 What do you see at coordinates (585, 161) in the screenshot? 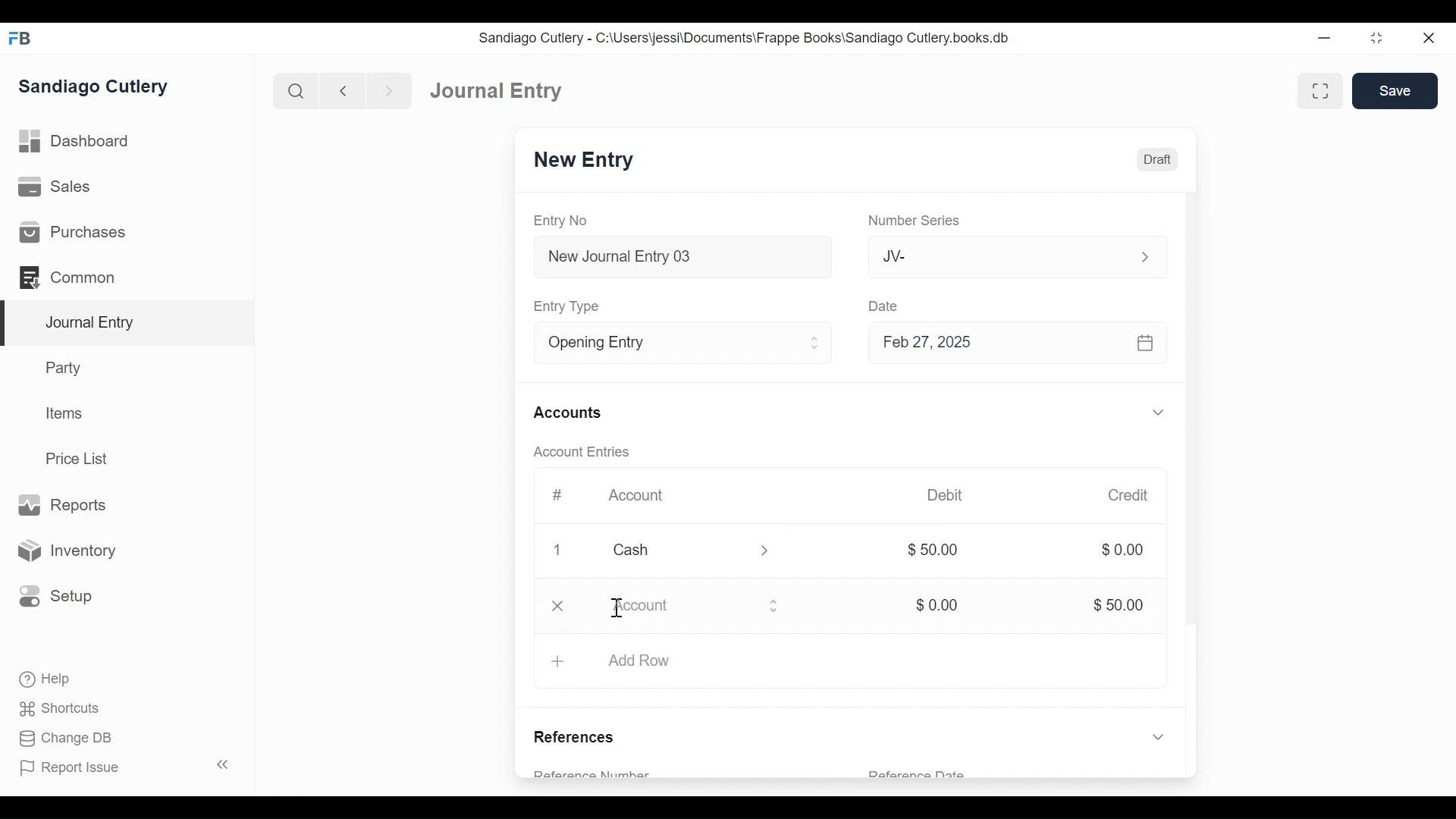
I see `New Entry` at bounding box center [585, 161].